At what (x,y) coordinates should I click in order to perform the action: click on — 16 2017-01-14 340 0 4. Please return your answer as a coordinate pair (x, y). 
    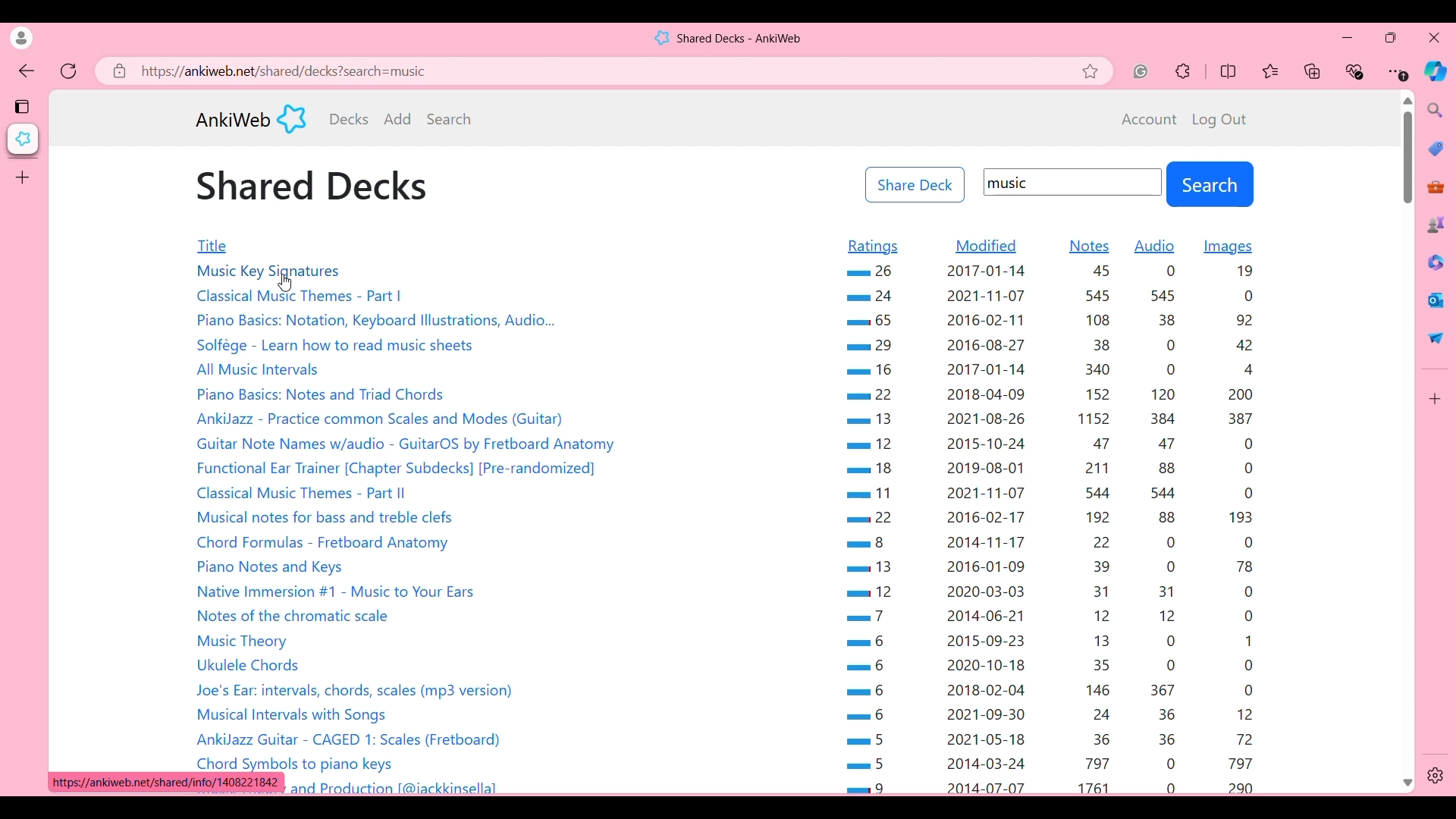
    Looking at the image, I should click on (1050, 369).